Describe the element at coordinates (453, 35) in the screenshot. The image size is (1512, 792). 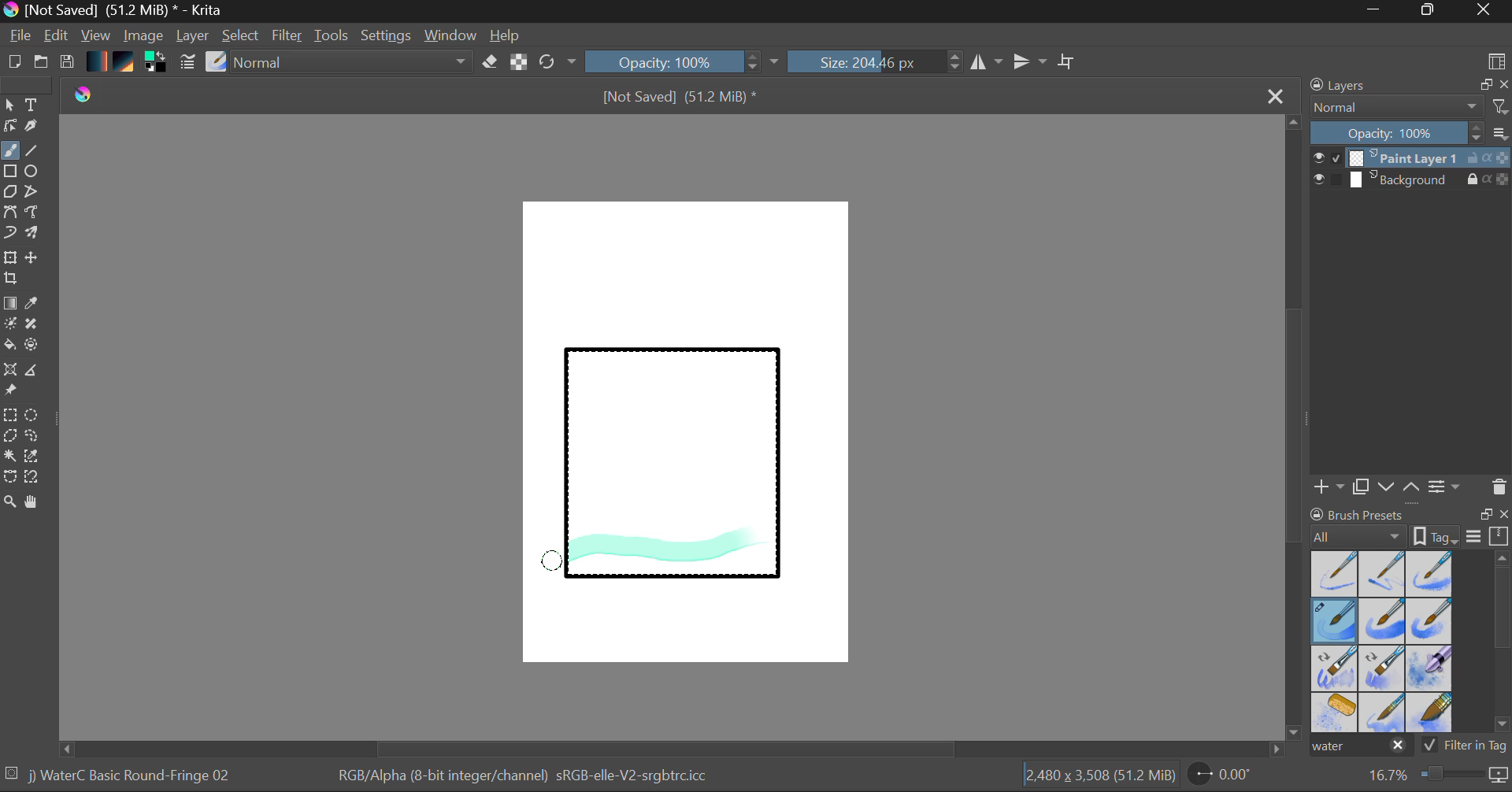
I see `Window` at that location.